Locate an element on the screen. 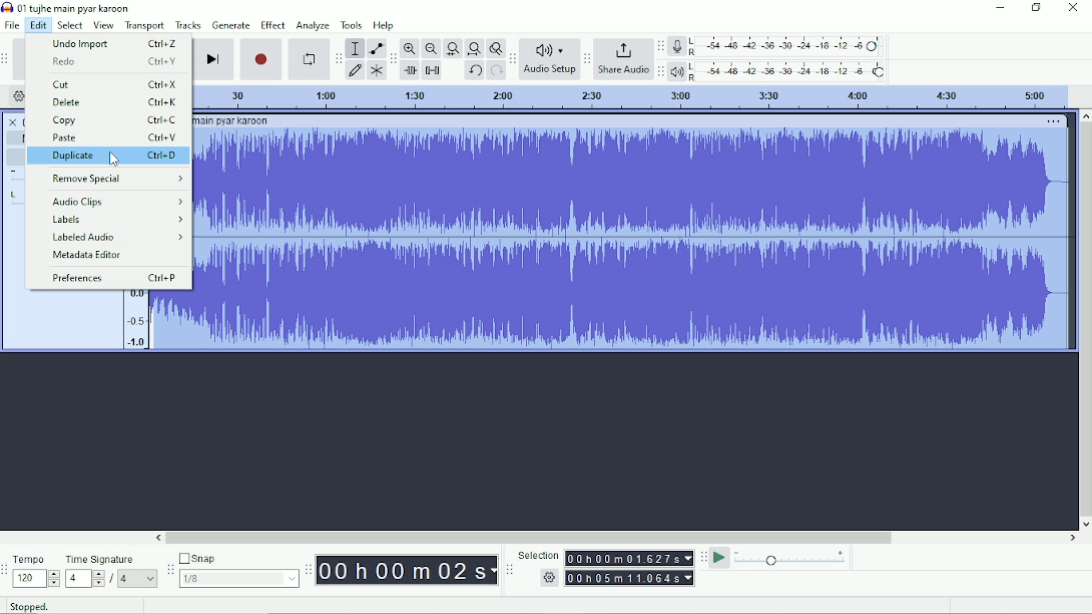  Redo is located at coordinates (496, 71).